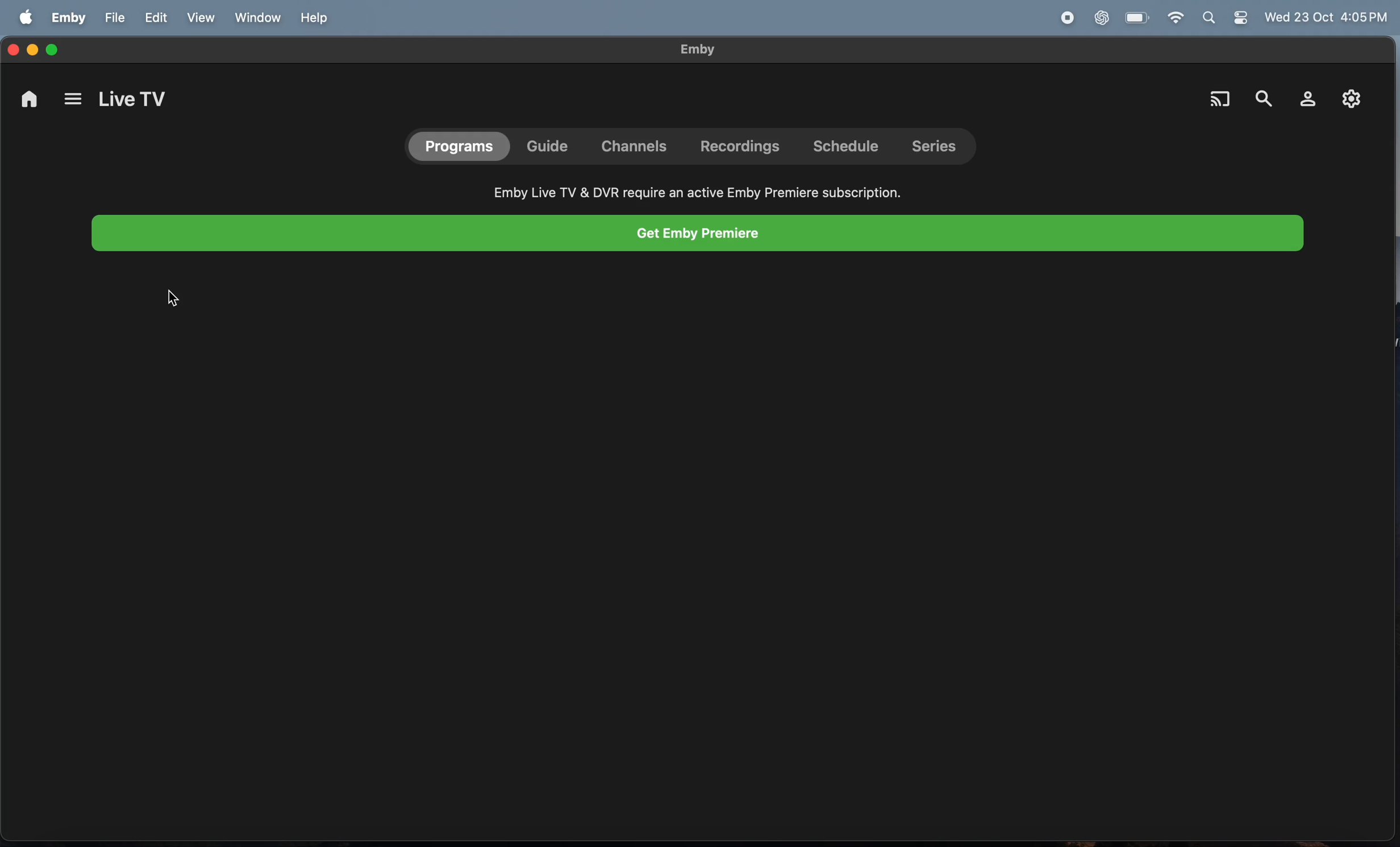 The height and width of the screenshot is (847, 1400). Describe the element at coordinates (33, 46) in the screenshot. I see `minimize` at that location.